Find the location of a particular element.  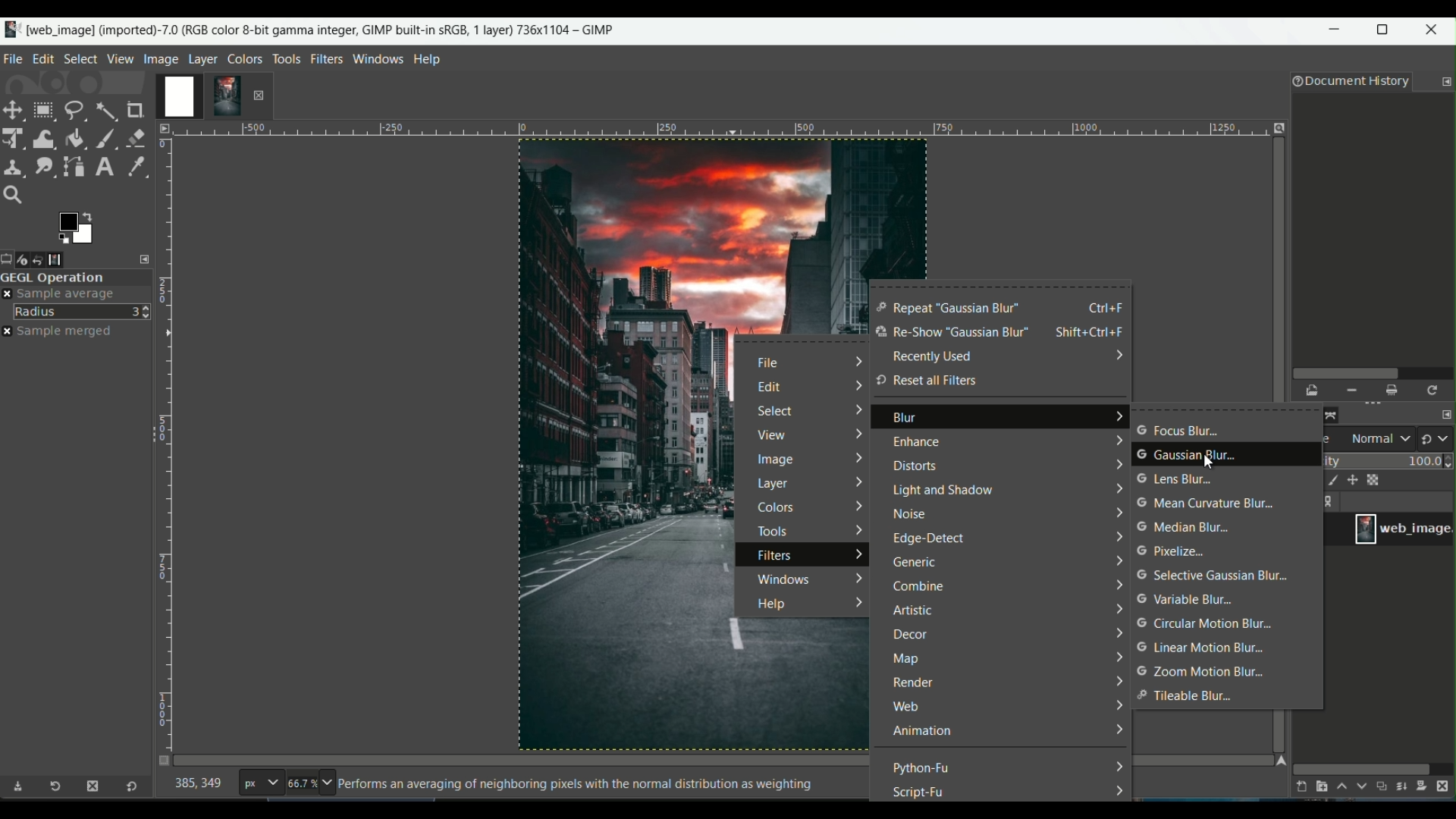

measurement scale is located at coordinates (260, 784).